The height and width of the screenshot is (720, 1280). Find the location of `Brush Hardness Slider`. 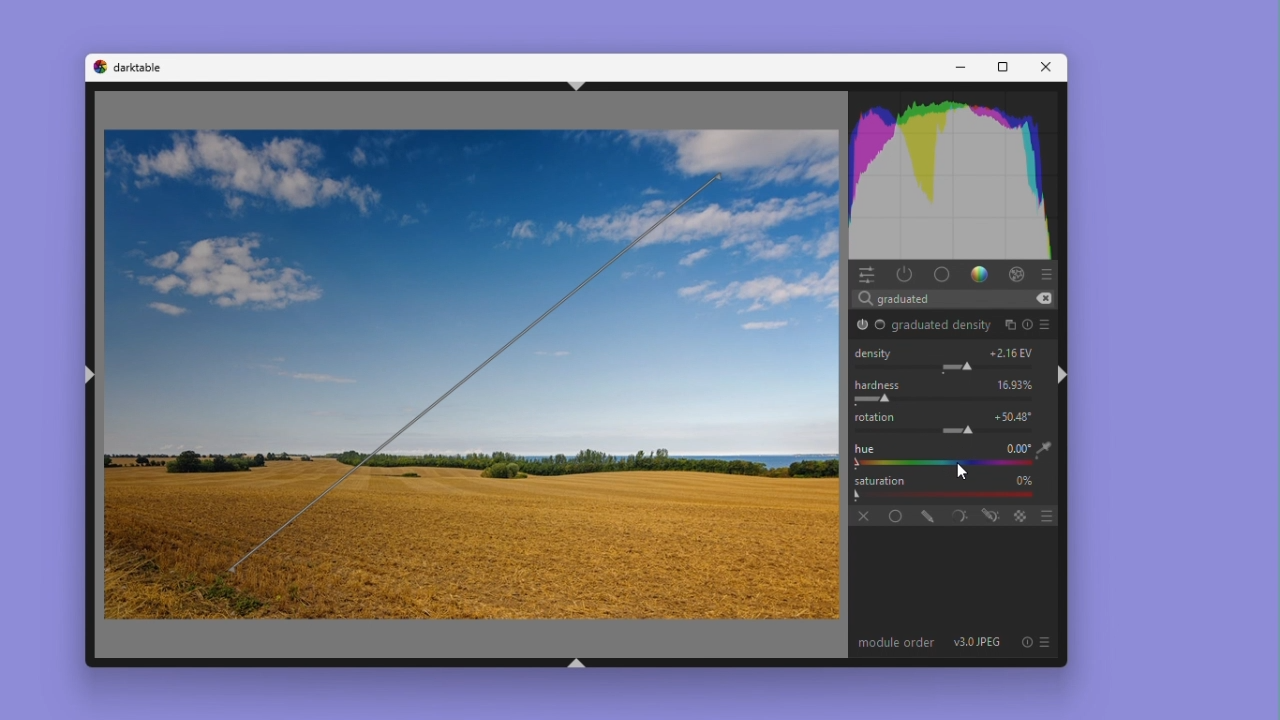

Brush Hardness Slider is located at coordinates (954, 400).